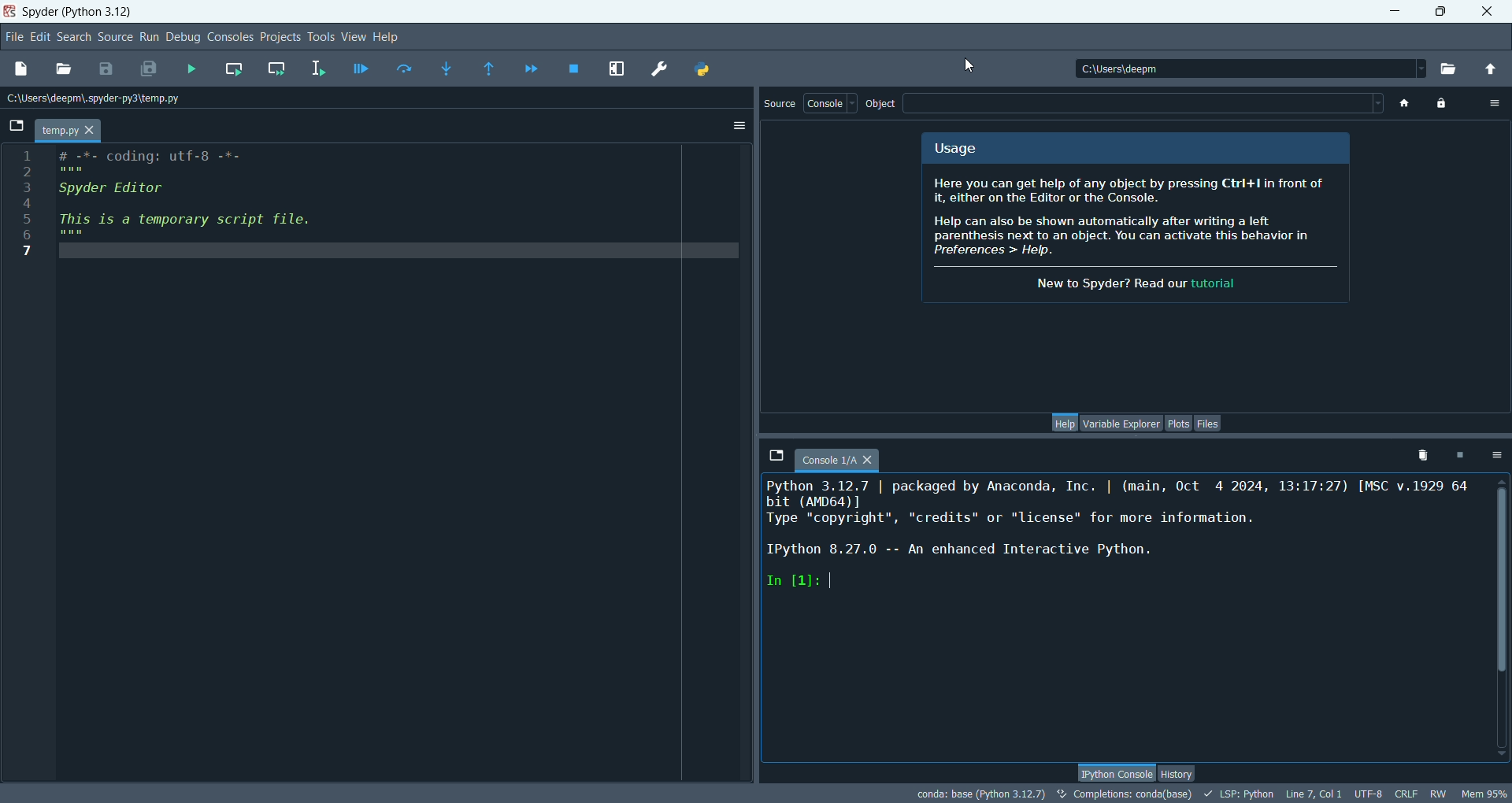 The height and width of the screenshot is (803, 1512). What do you see at coordinates (776, 455) in the screenshot?
I see `browse tabs` at bounding box center [776, 455].